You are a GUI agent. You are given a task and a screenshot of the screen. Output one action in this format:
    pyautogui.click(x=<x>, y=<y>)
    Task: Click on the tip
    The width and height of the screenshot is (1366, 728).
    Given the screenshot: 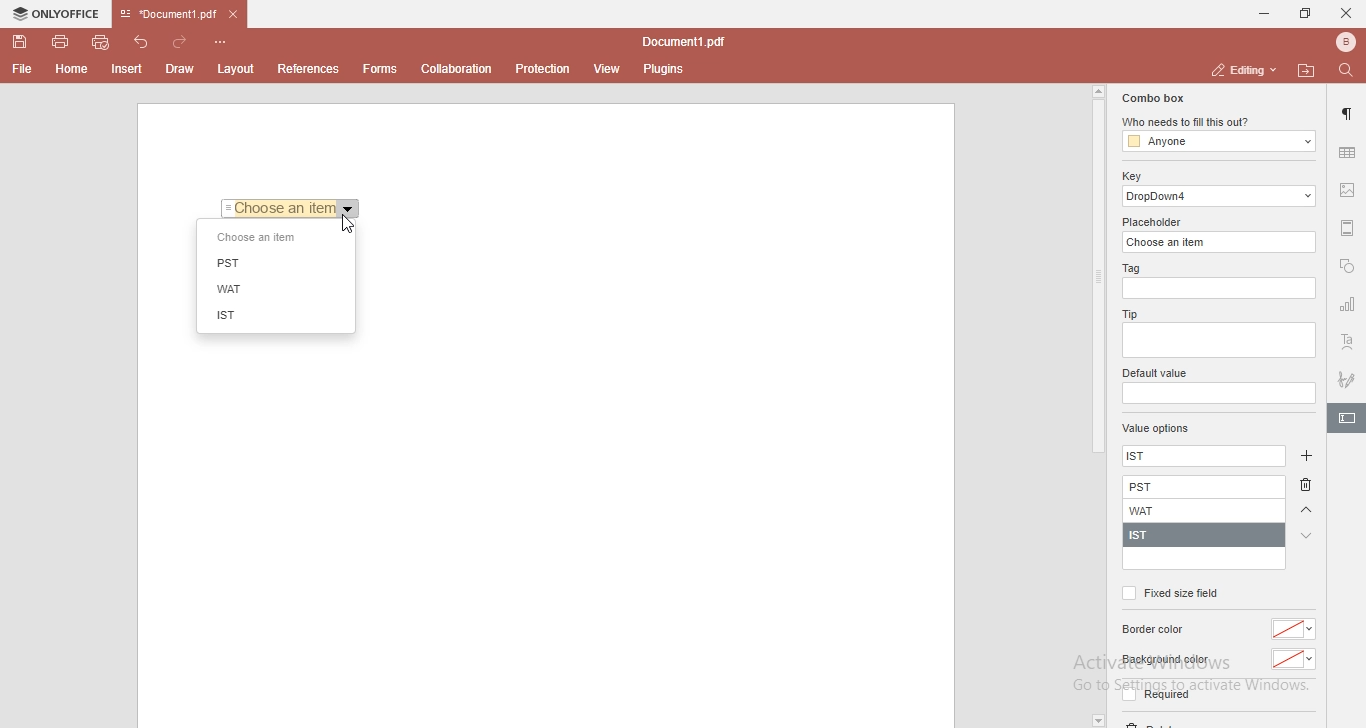 What is the action you would take?
    pyautogui.click(x=1127, y=313)
    